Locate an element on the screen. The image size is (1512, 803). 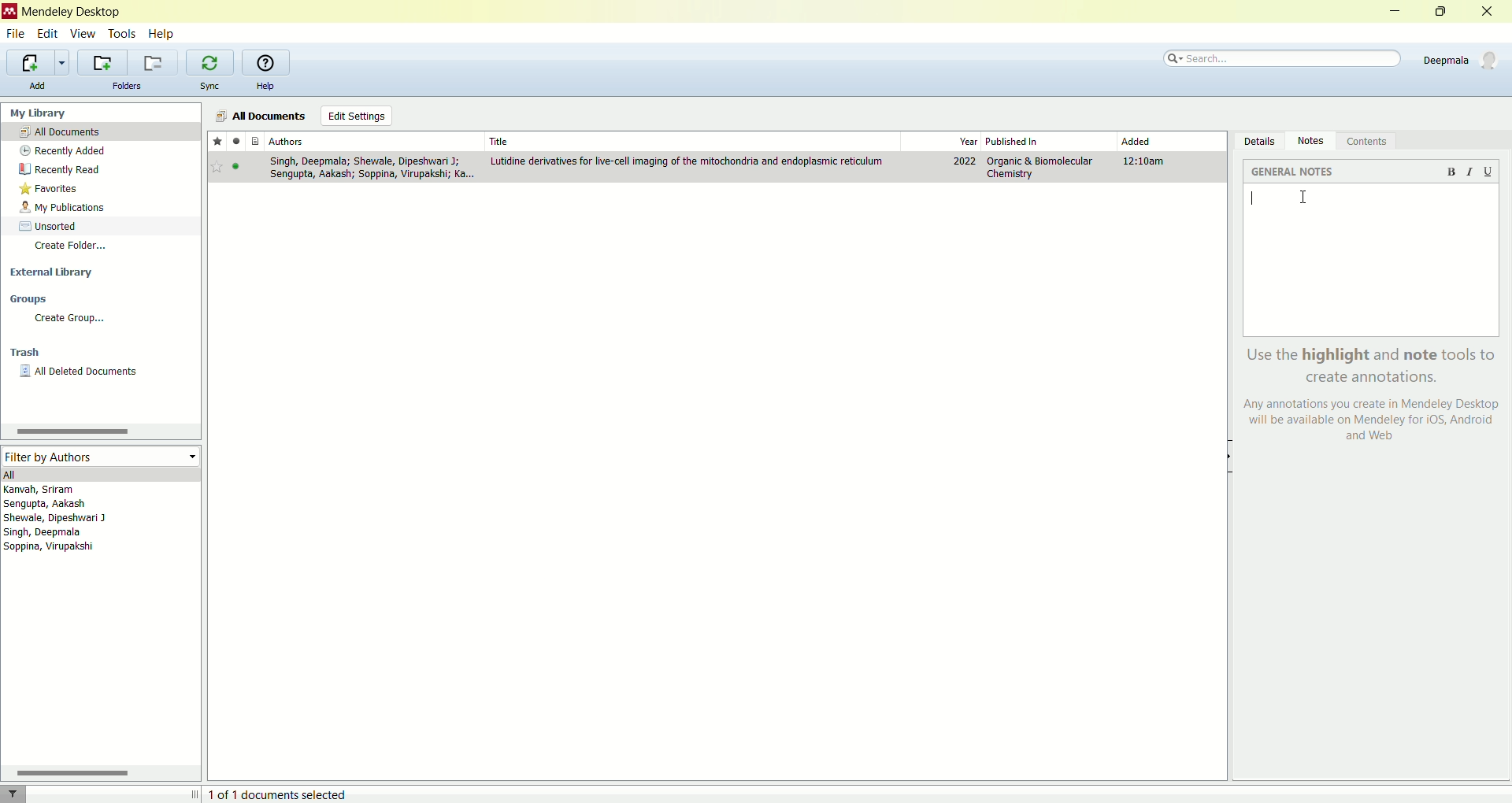
import additional documents to the current collection is located at coordinates (39, 61).